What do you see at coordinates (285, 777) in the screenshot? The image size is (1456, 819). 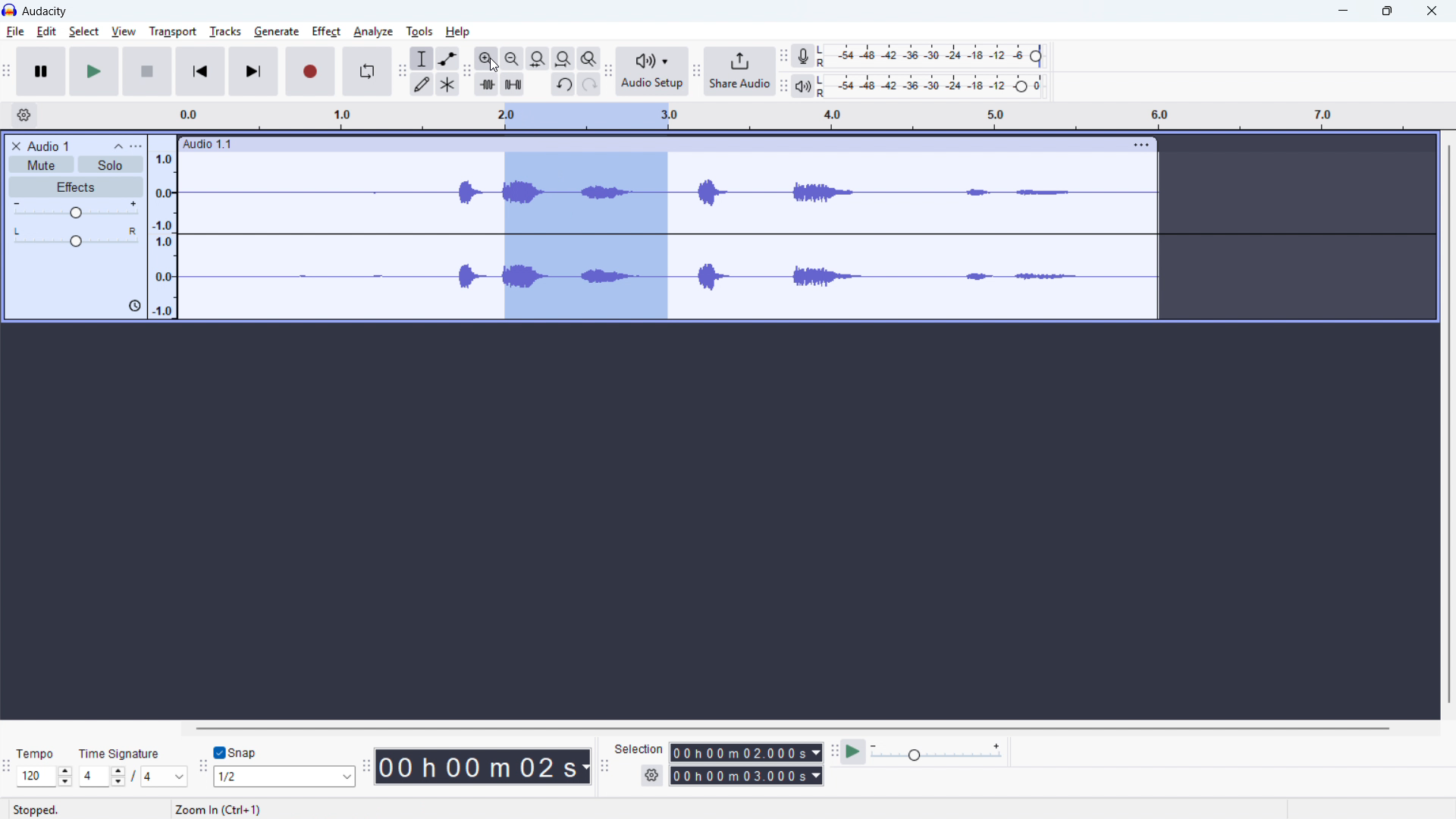 I see `Set snapping` at bounding box center [285, 777].